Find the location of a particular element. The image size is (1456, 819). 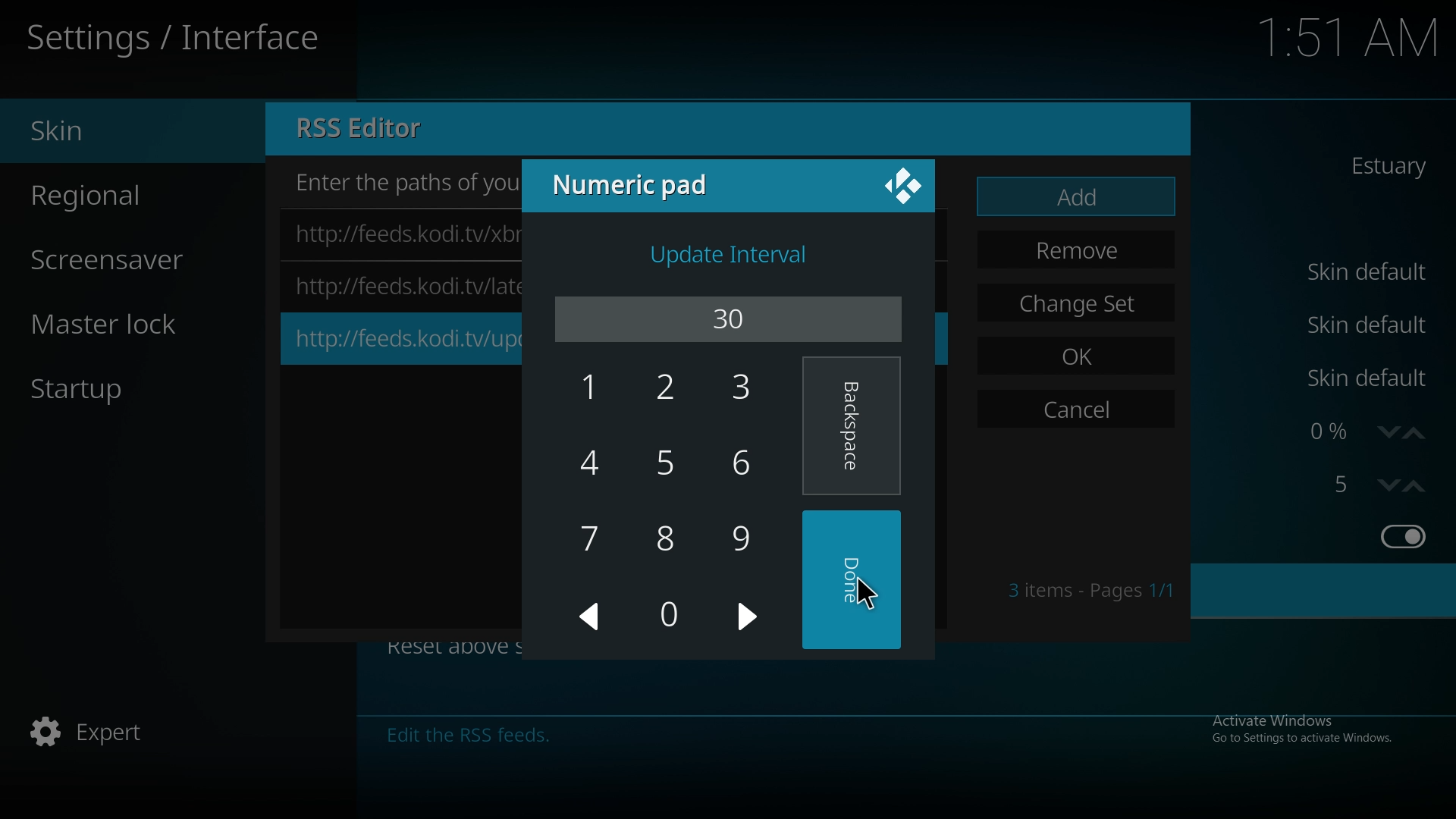

change set is located at coordinates (1078, 303).